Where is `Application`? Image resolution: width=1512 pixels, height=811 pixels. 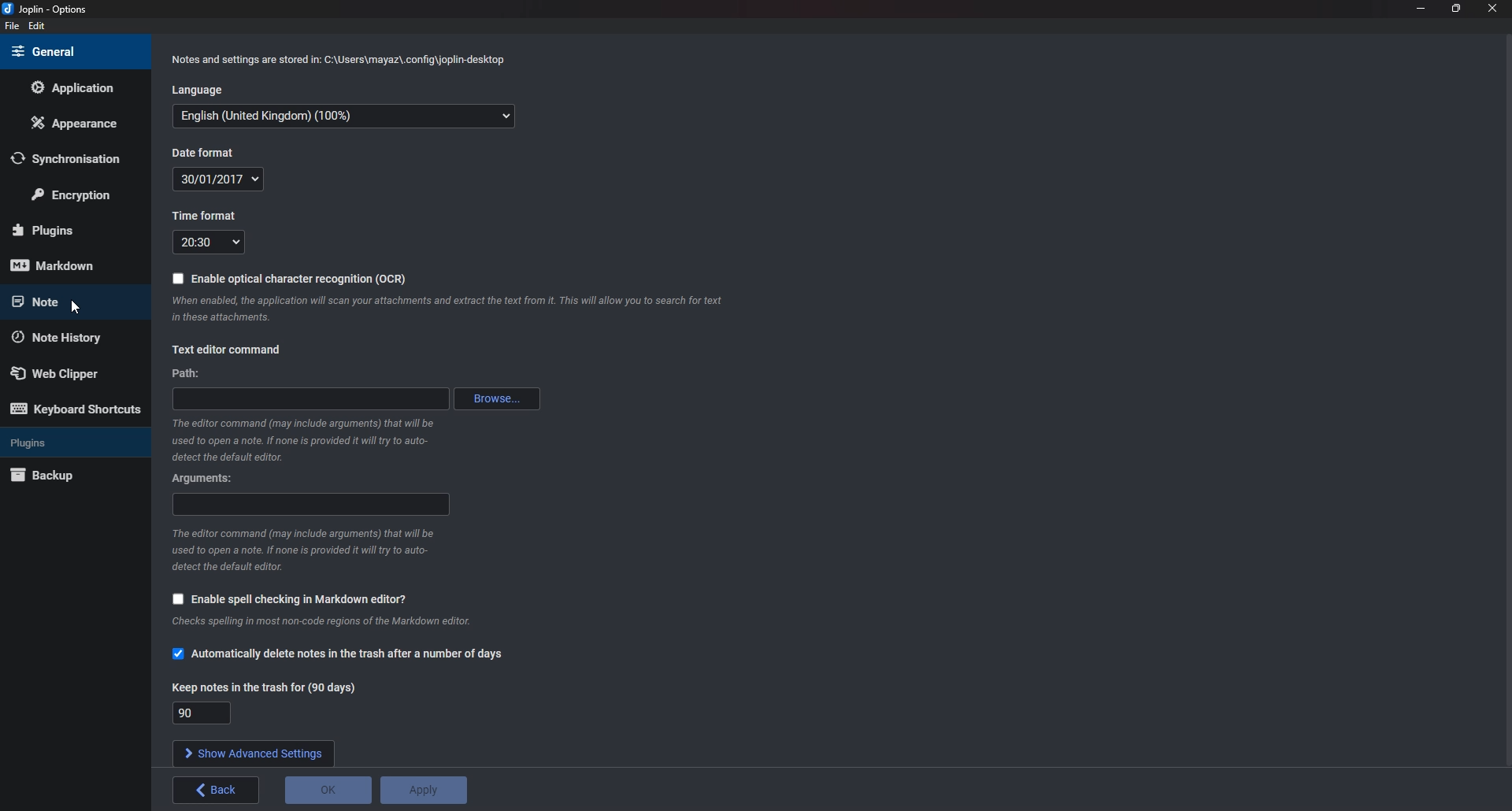 Application is located at coordinates (80, 87).